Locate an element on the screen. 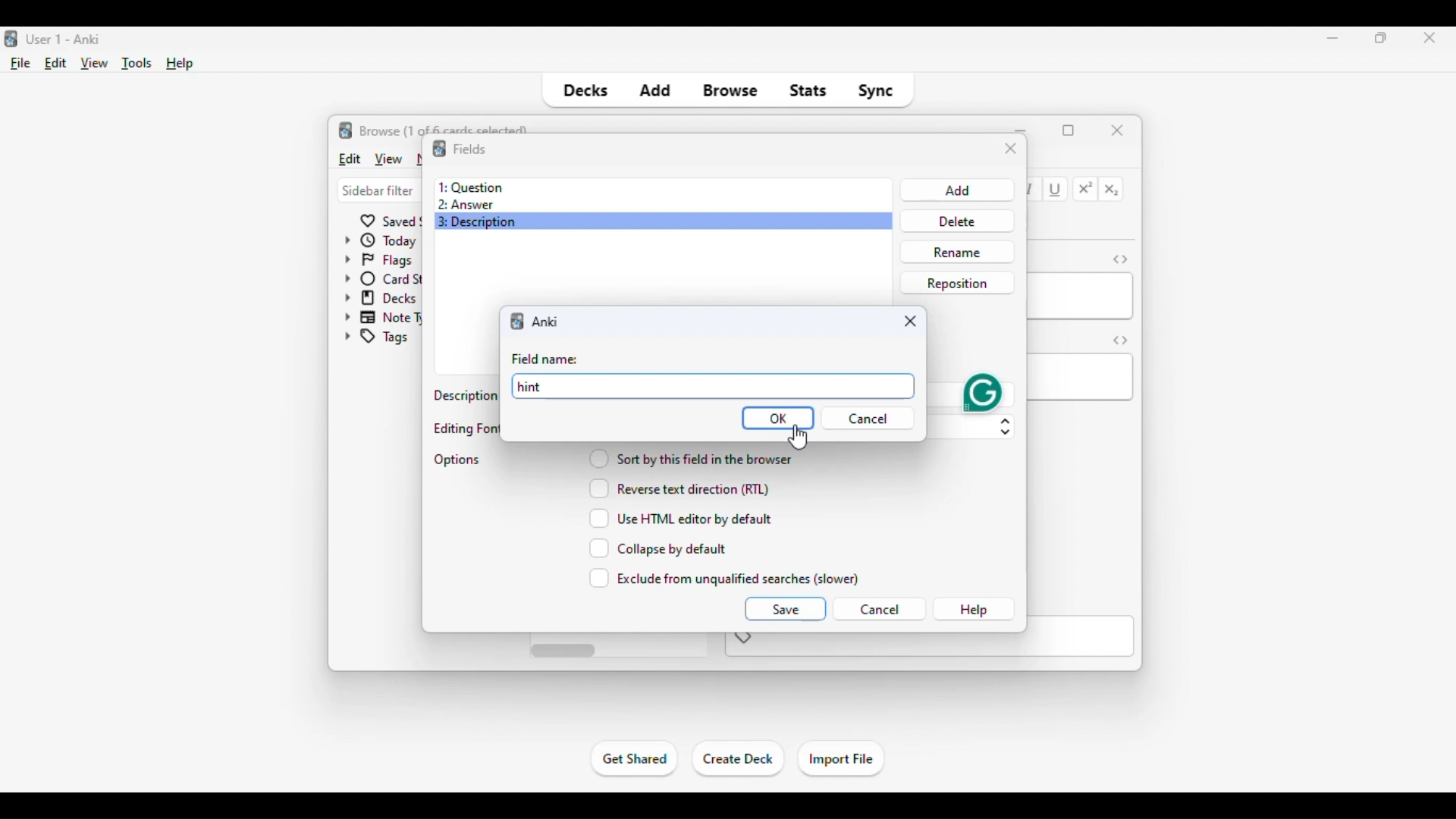 The image size is (1456, 819). edit is located at coordinates (349, 158).